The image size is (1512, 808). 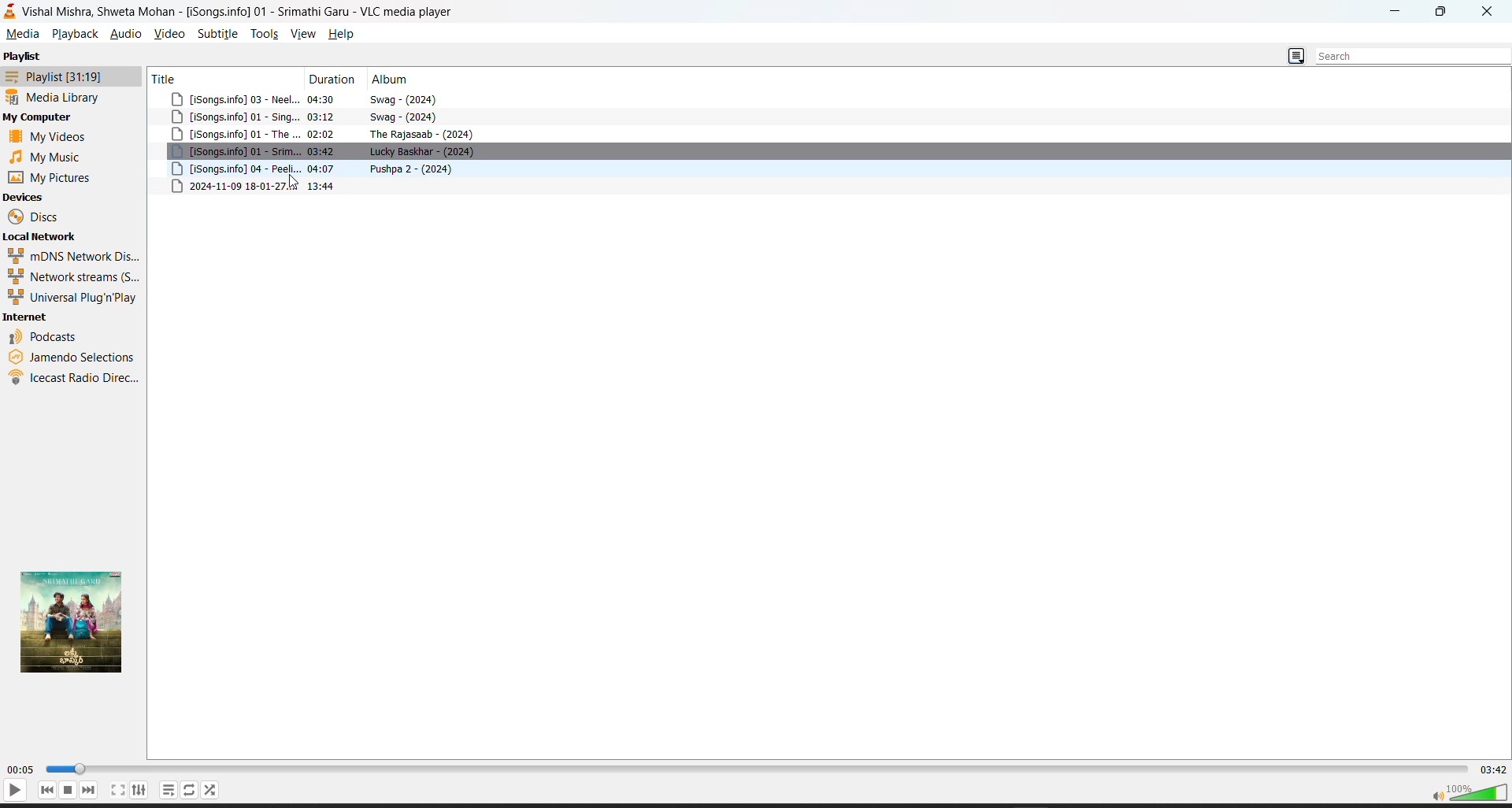 I want to click on loop, so click(x=191, y=791).